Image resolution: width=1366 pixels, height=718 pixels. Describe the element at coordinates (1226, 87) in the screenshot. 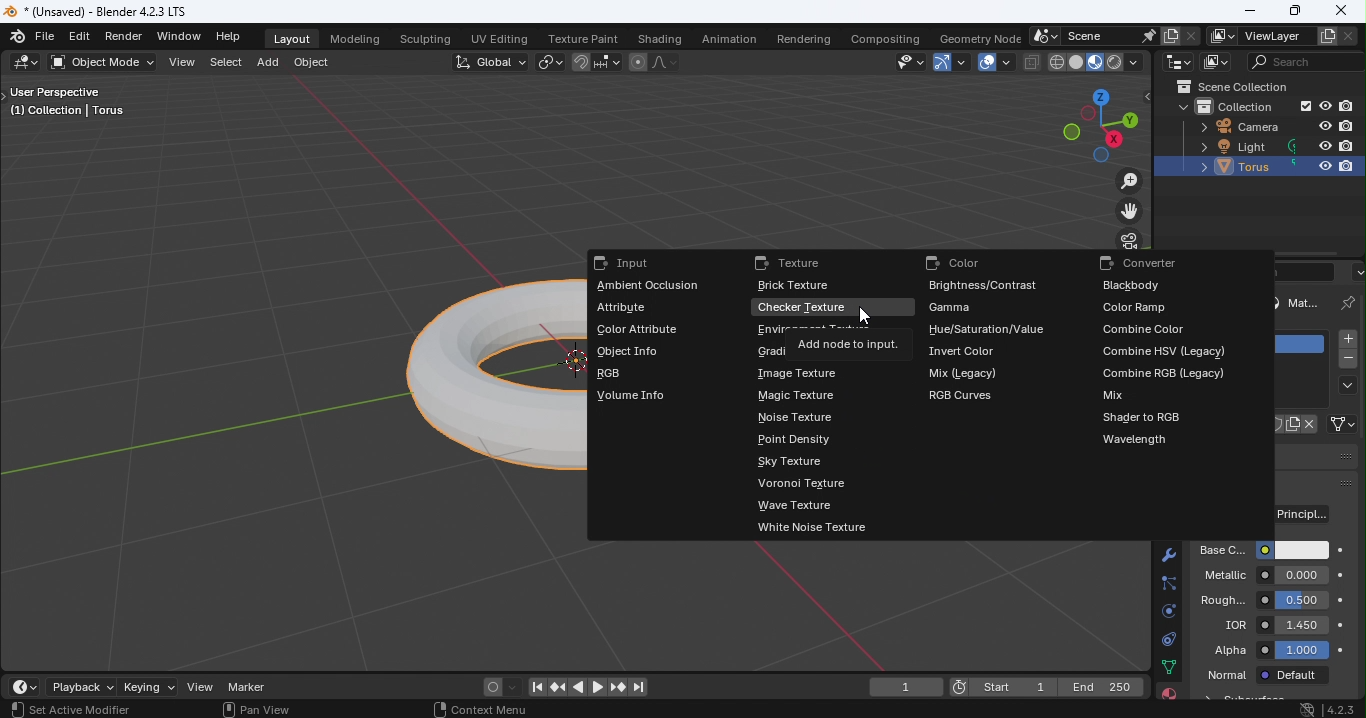

I see `Scene collection` at that location.